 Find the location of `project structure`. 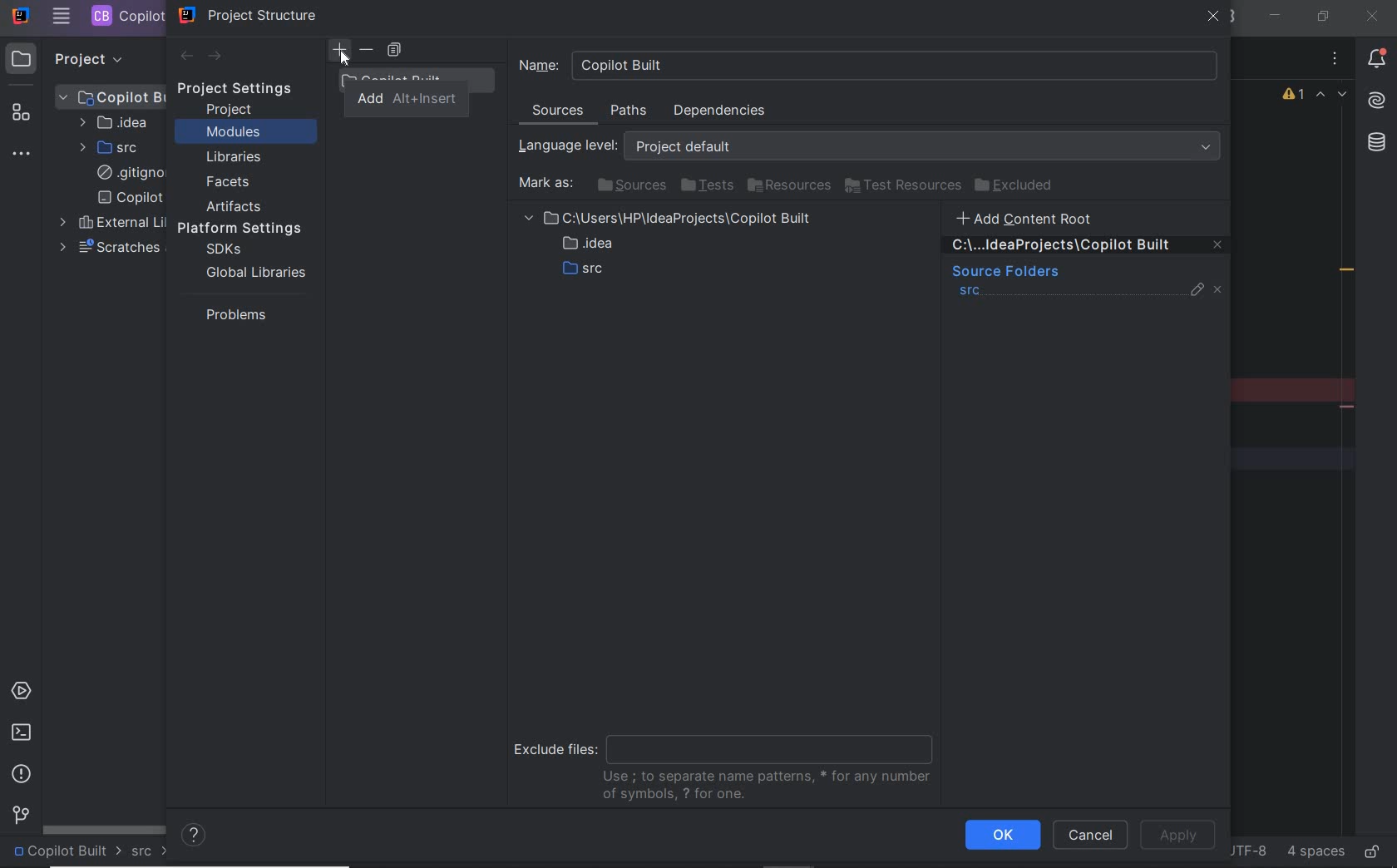

project structure is located at coordinates (249, 15).